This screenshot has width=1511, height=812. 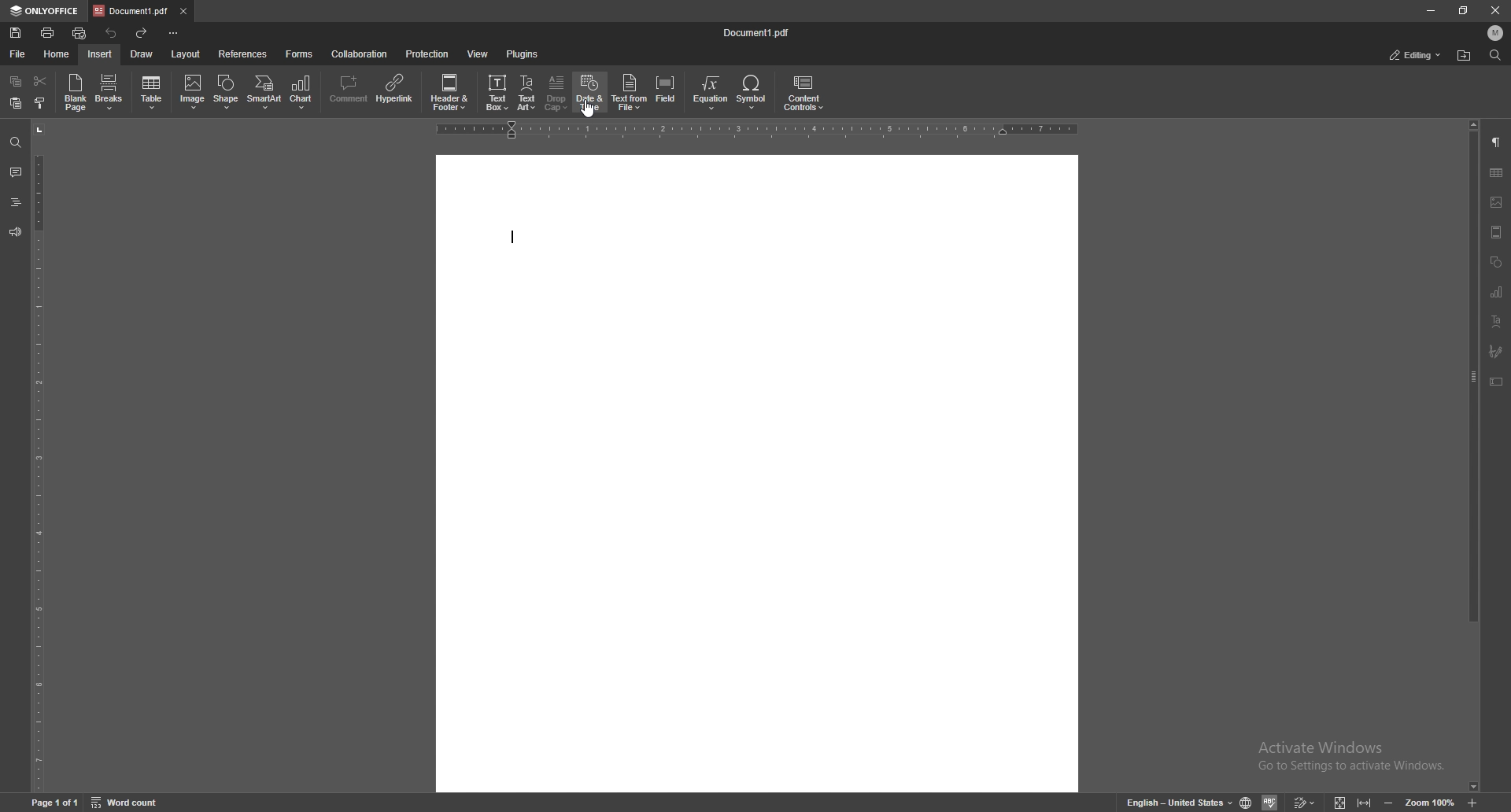 I want to click on chart, so click(x=1498, y=294).